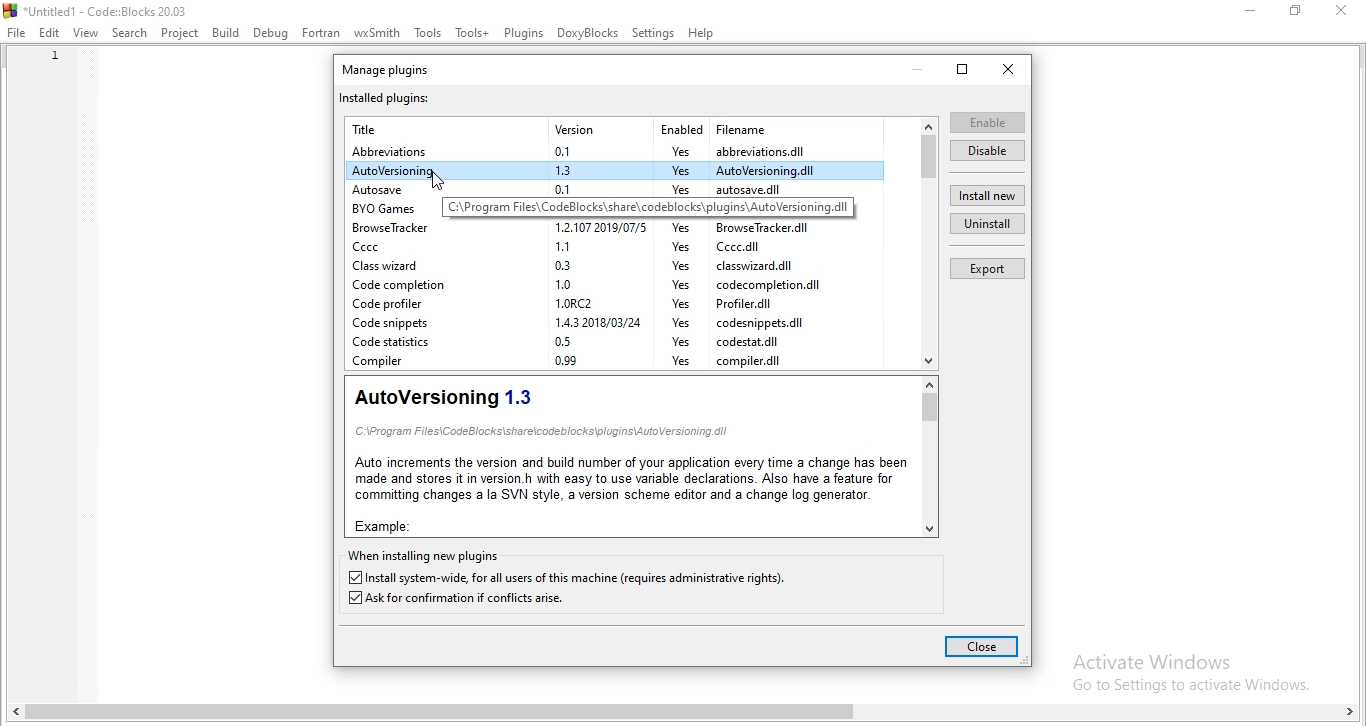 The width and height of the screenshot is (1366, 726). Describe the element at coordinates (984, 267) in the screenshot. I see `Export` at that location.